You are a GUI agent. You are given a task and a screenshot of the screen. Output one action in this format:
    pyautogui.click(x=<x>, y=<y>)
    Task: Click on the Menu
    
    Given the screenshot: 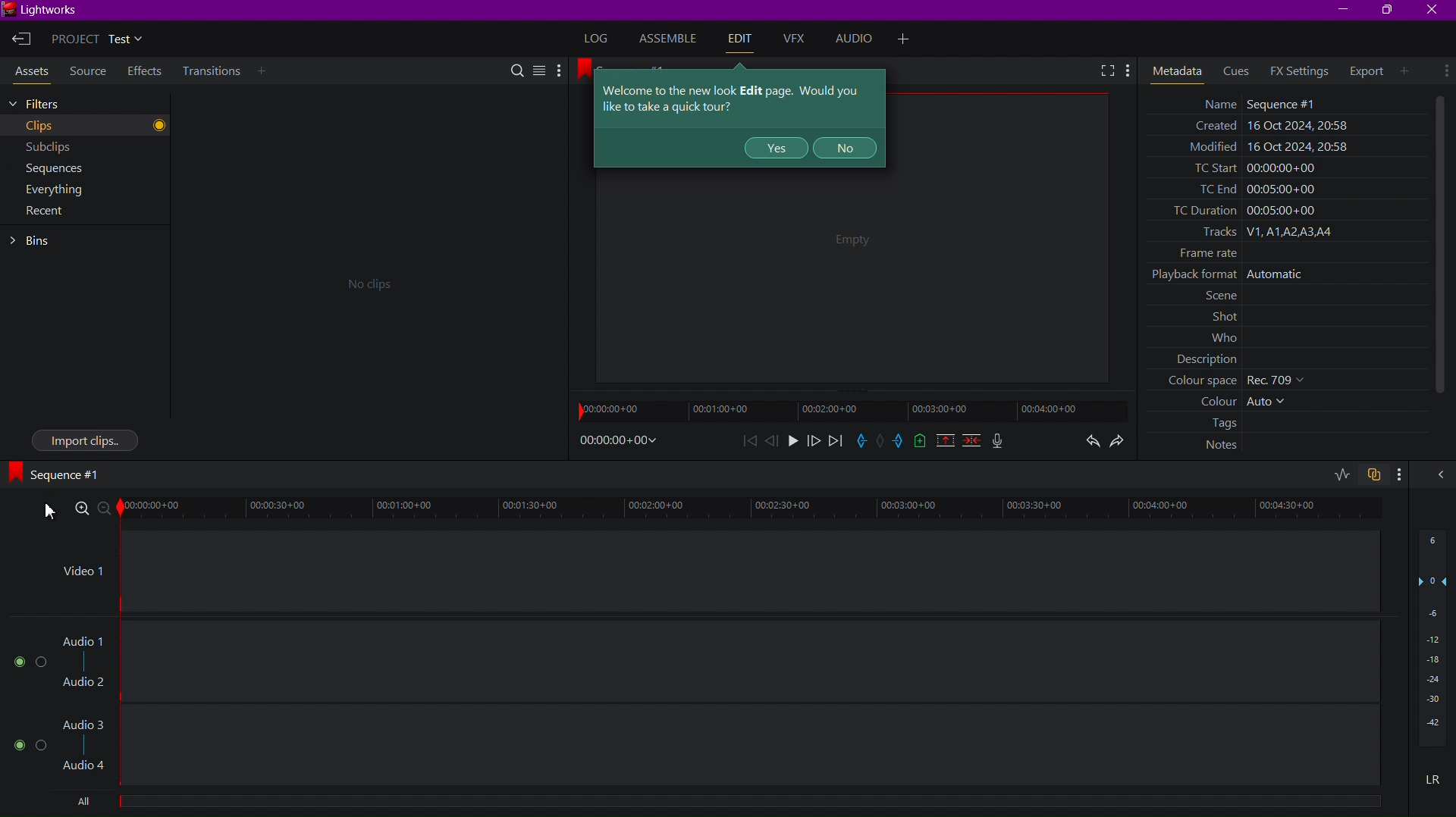 What is the action you would take?
    pyautogui.click(x=538, y=70)
    